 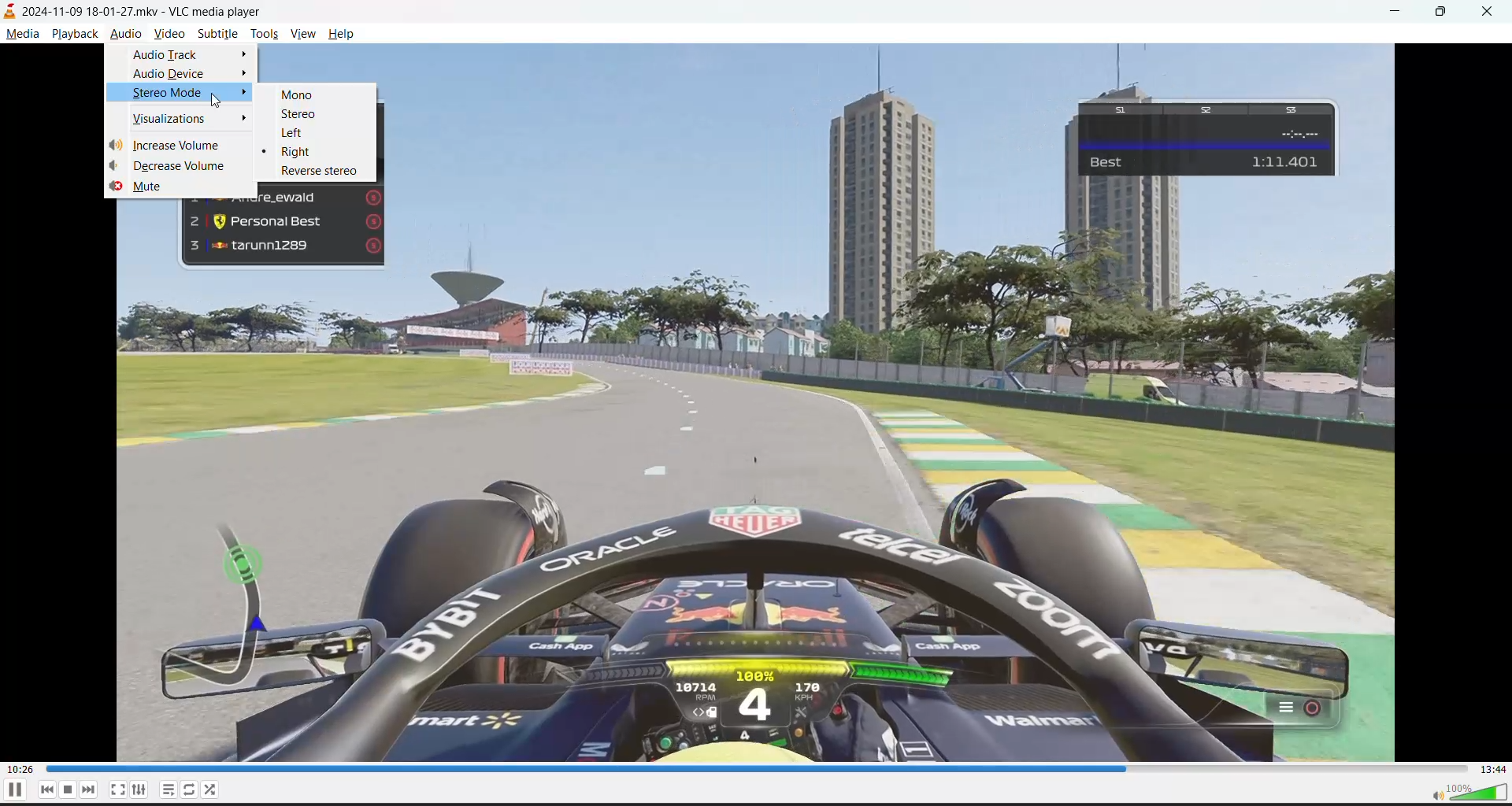 I want to click on mono, so click(x=300, y=95).